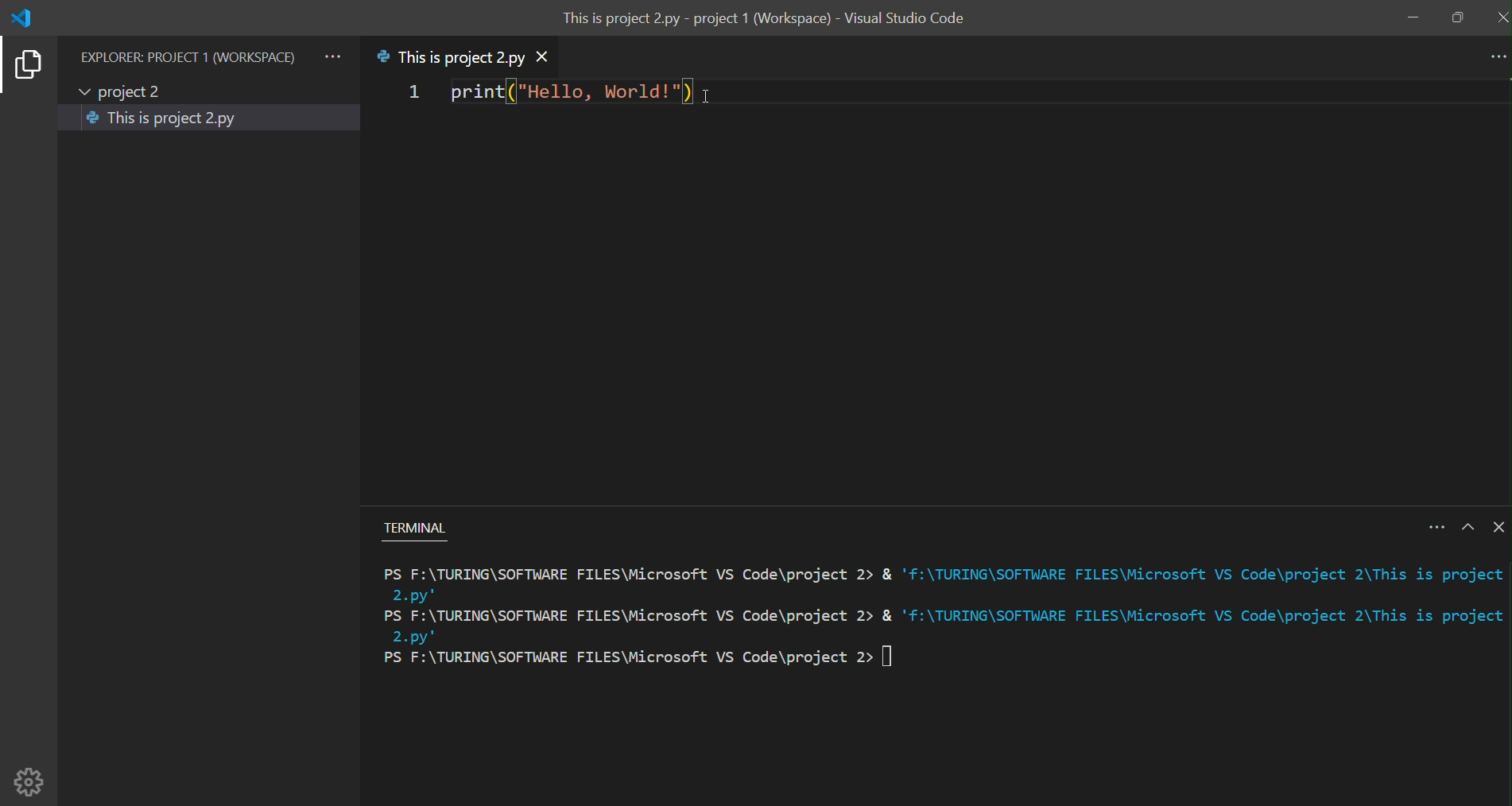 The image size is (1512, 806). What do you see at coordinates (1496, 526) in the screenshot?
I see `hide panel` at bounding box center [1496, 526].